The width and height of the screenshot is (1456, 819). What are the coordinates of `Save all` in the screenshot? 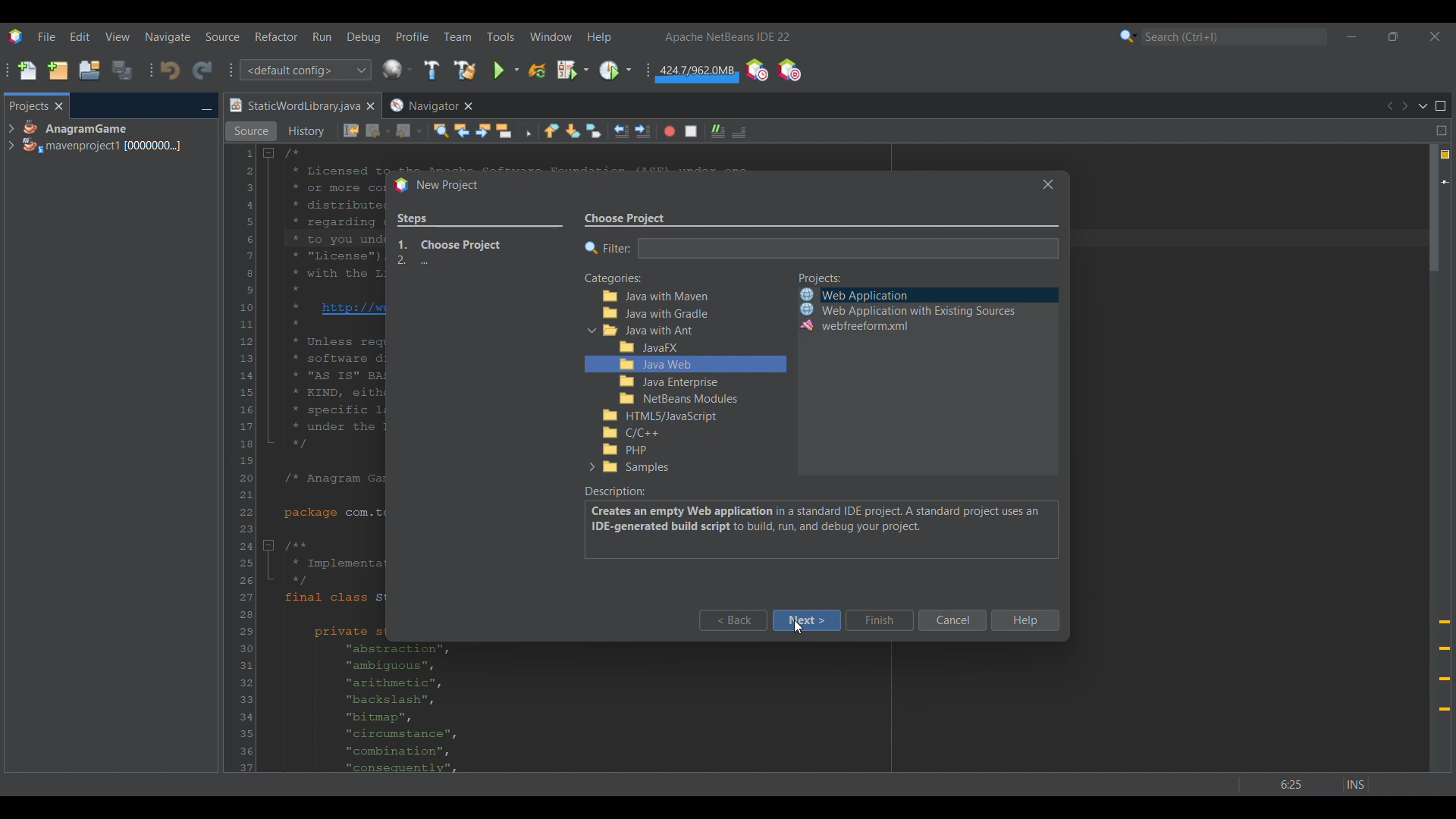 It's located at (122, 70).